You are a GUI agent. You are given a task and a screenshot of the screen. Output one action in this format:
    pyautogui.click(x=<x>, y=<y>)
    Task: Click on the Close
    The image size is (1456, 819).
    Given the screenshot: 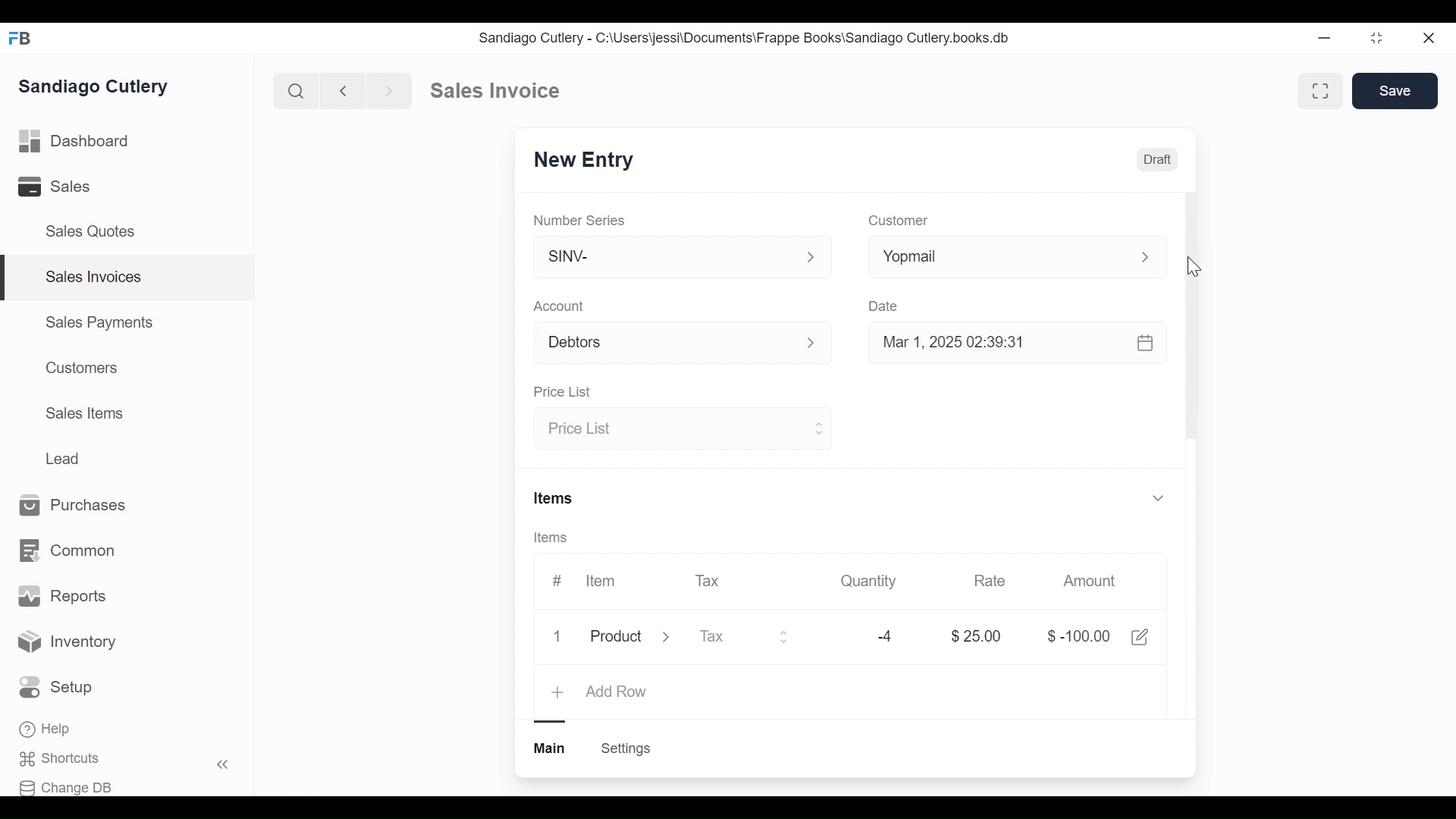 What is the action you would take?
    pyautogui.click(x=1432, y=39)
    